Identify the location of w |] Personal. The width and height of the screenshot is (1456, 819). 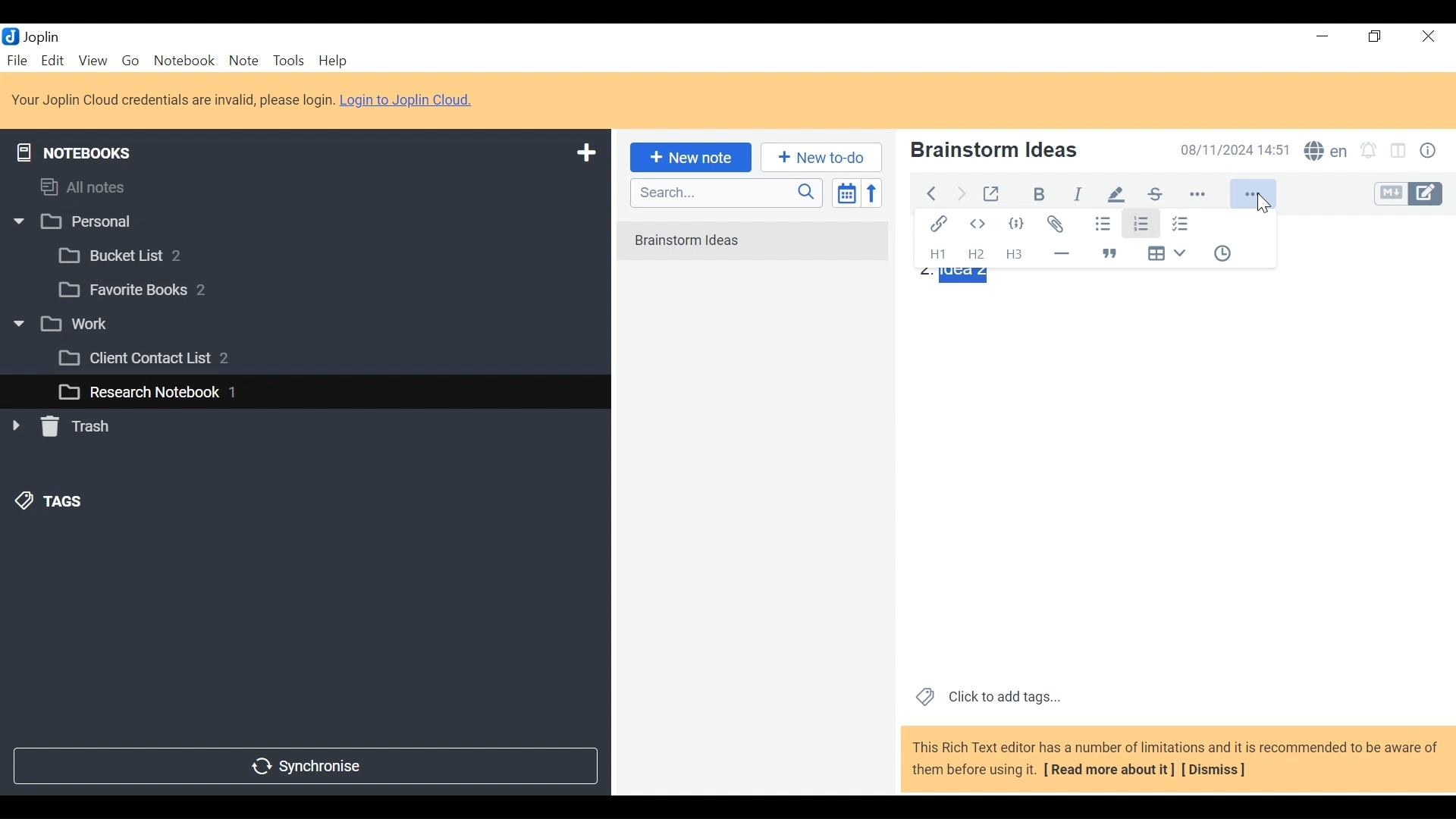
(81, 223).